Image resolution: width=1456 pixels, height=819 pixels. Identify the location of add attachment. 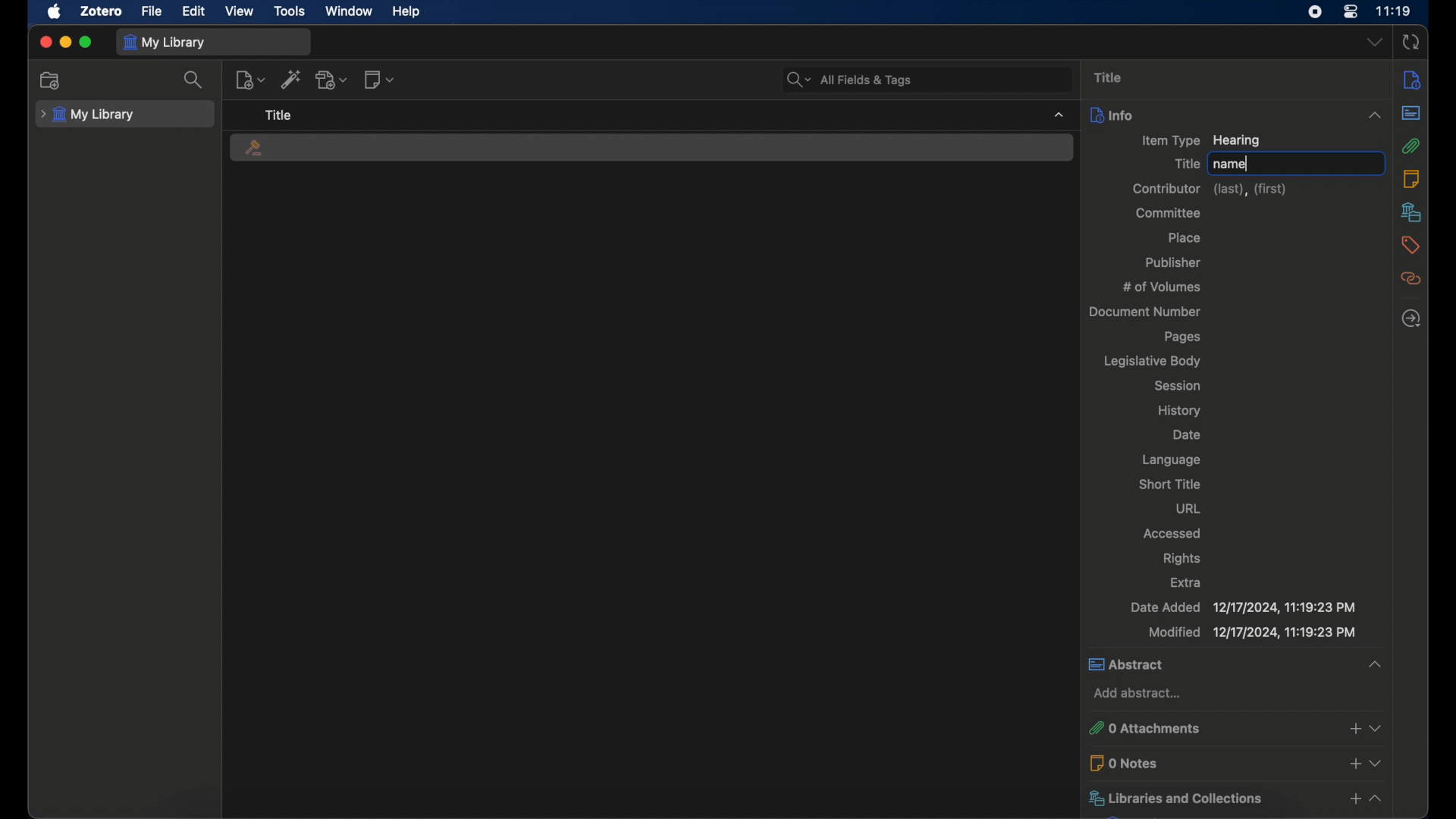
(332, 80).